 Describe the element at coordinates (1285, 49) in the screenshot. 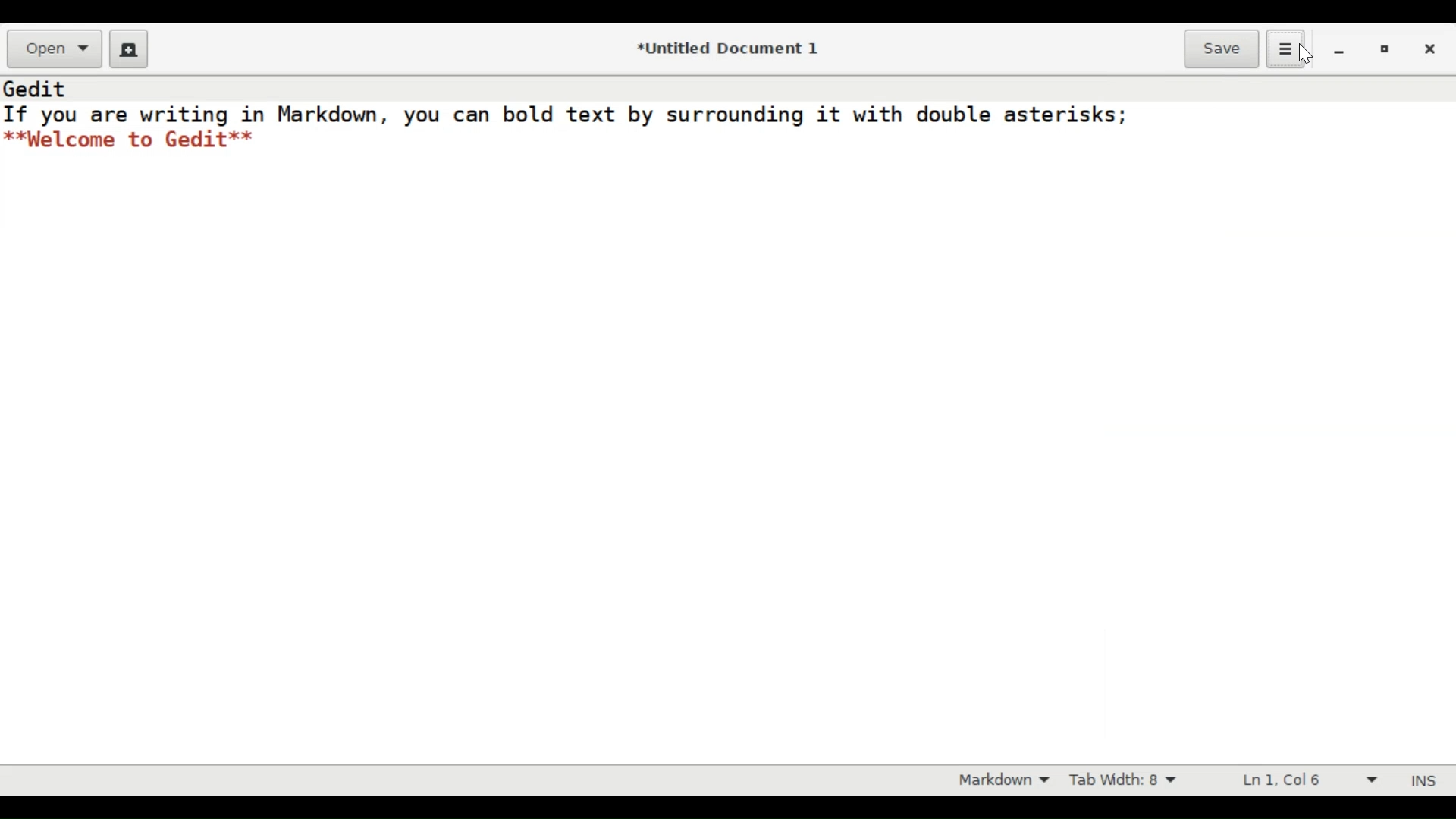

I see `Application menu` at that location.